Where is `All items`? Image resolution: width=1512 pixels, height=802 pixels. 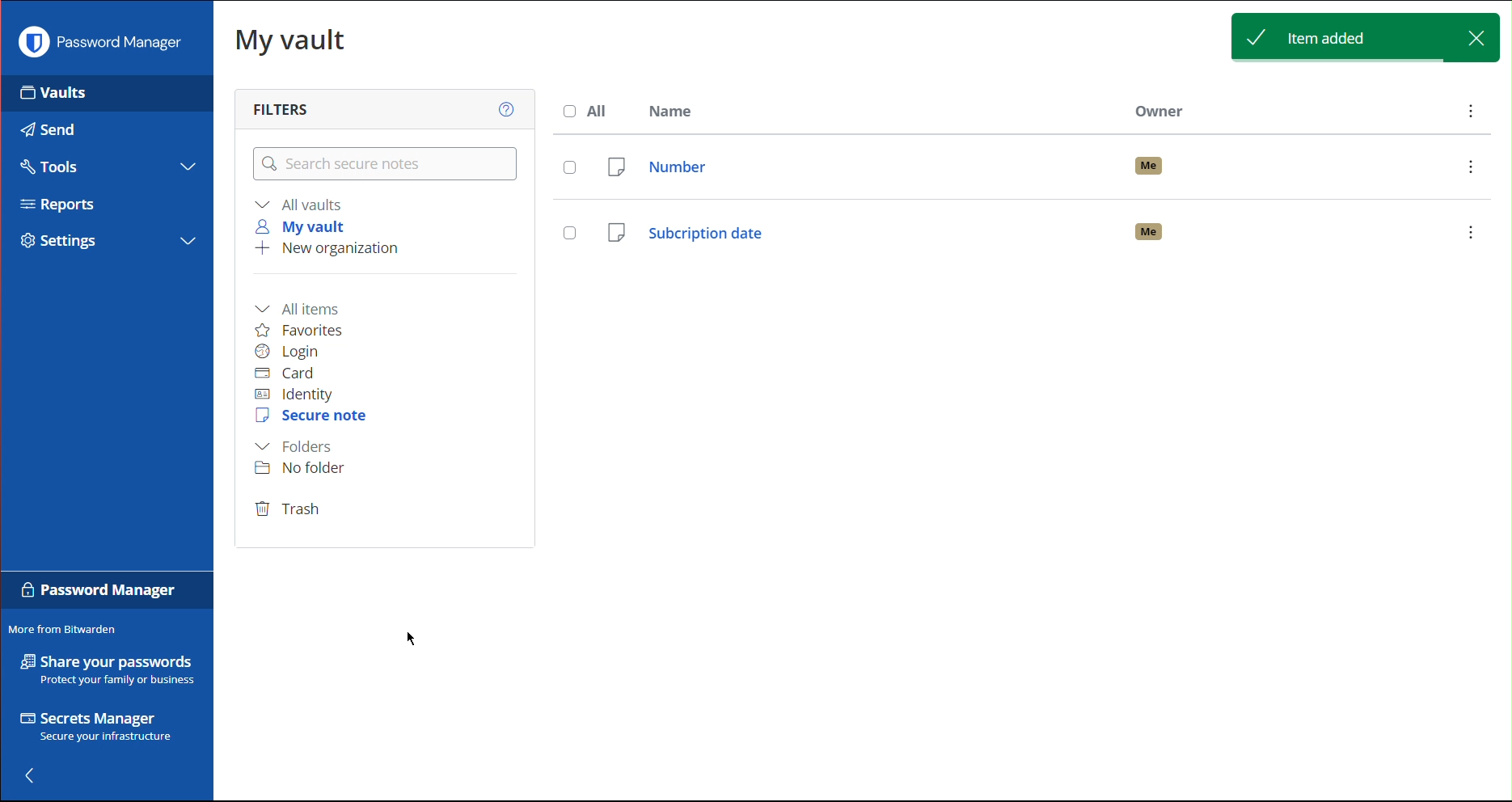
All items is located at coordinates (302, 307).